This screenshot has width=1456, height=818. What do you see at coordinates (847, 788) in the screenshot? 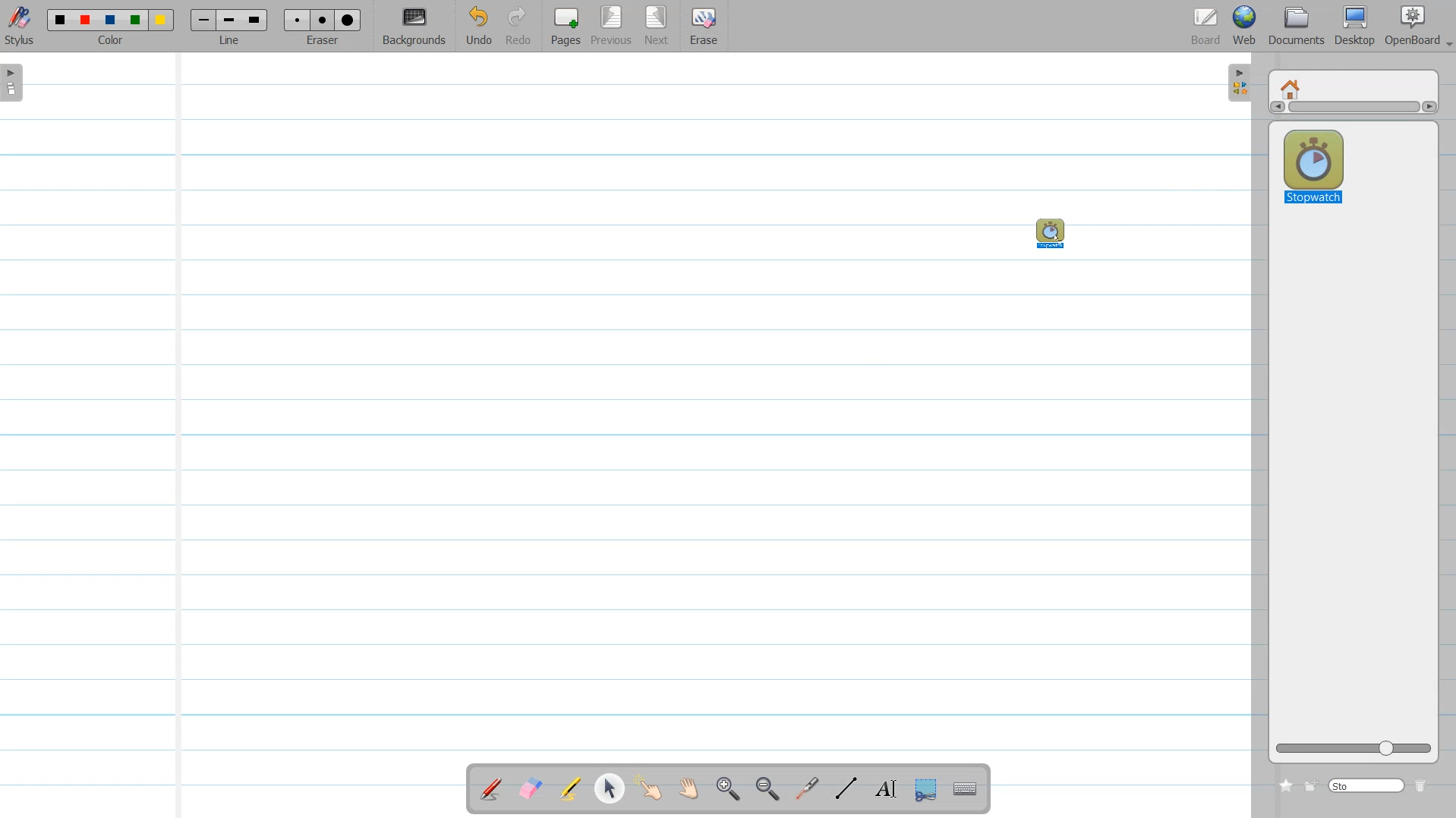
I see `Draw Line` at bounding box center [847, 788].